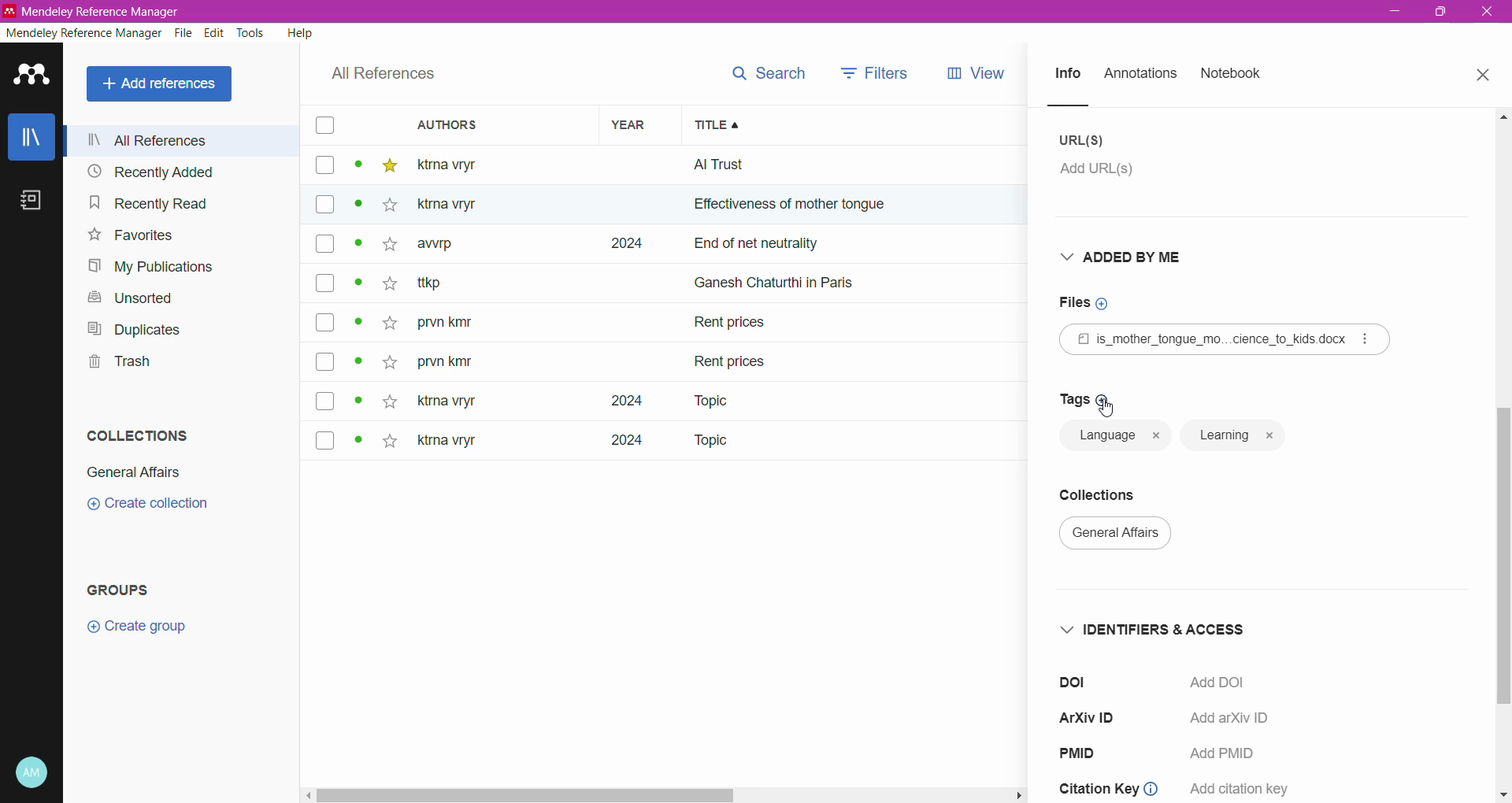  I want to click on views , so click(987, 73).